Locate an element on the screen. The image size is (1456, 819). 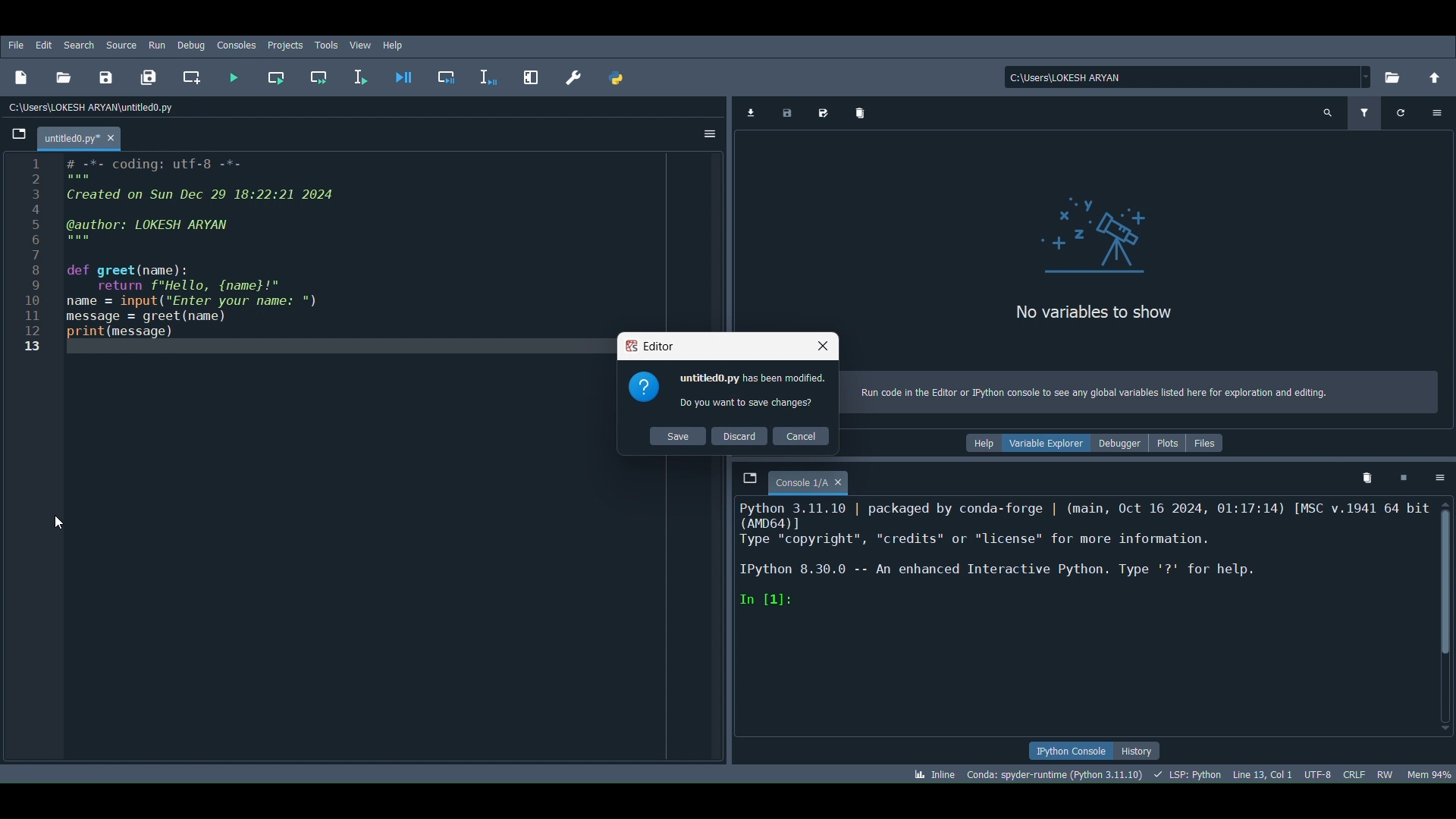
Filter variables is located at coordinates (1362, 112).